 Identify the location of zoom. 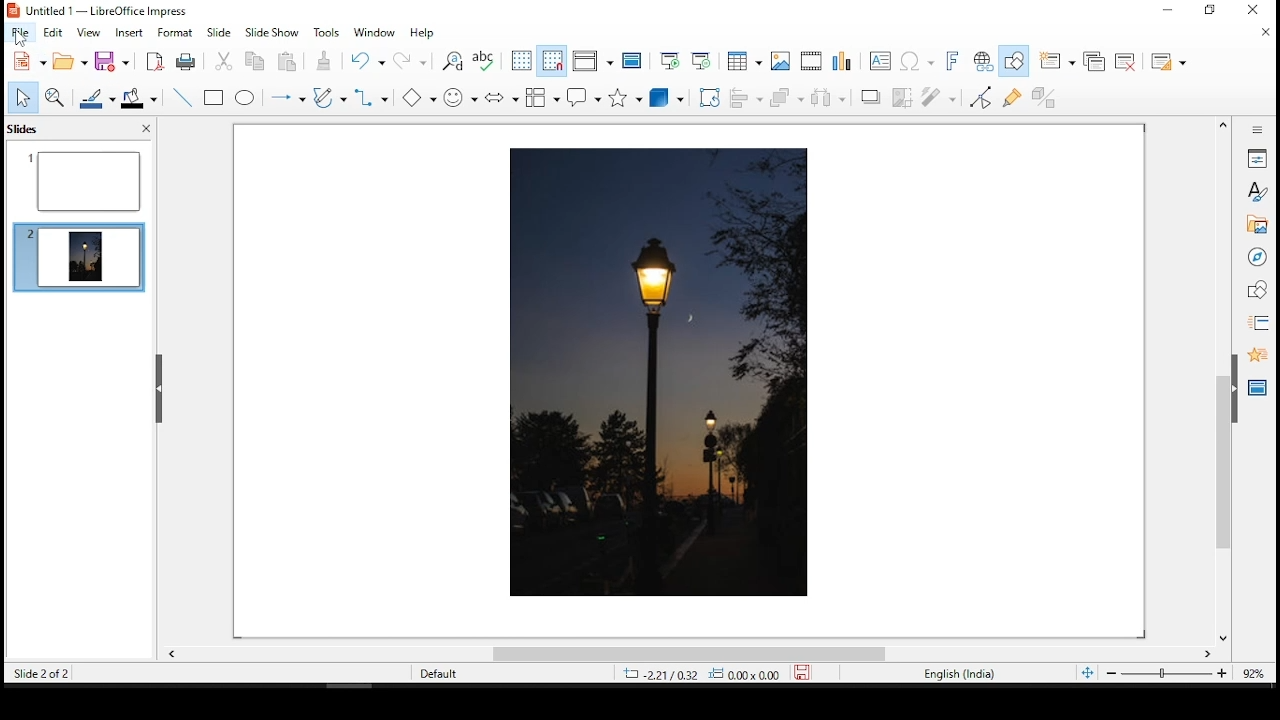
(1181, 673).